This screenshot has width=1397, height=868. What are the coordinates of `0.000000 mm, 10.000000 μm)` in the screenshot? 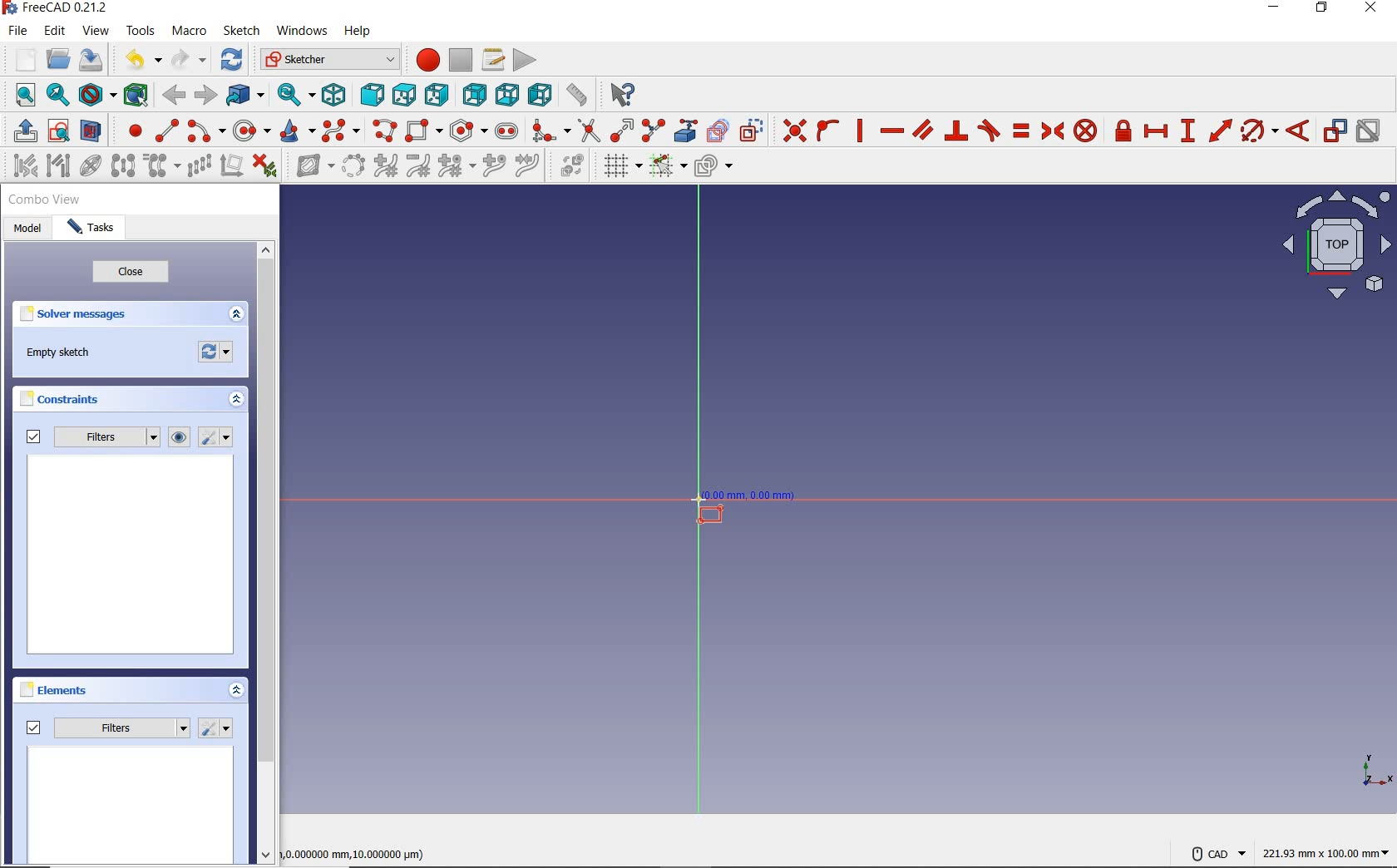 It's located at (367, 856).